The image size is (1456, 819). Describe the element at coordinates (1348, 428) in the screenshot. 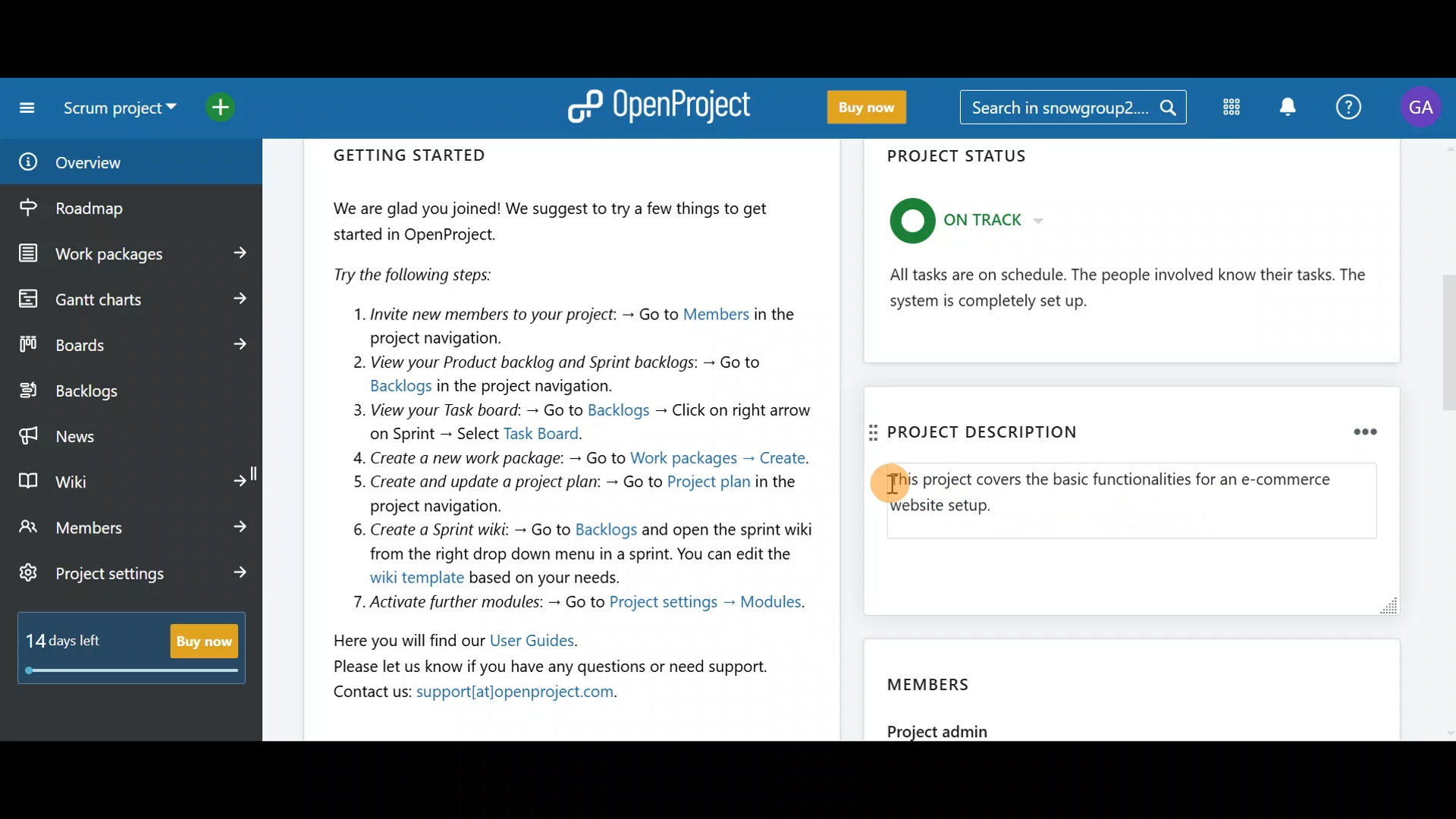

I see `Remove widget` at that location.